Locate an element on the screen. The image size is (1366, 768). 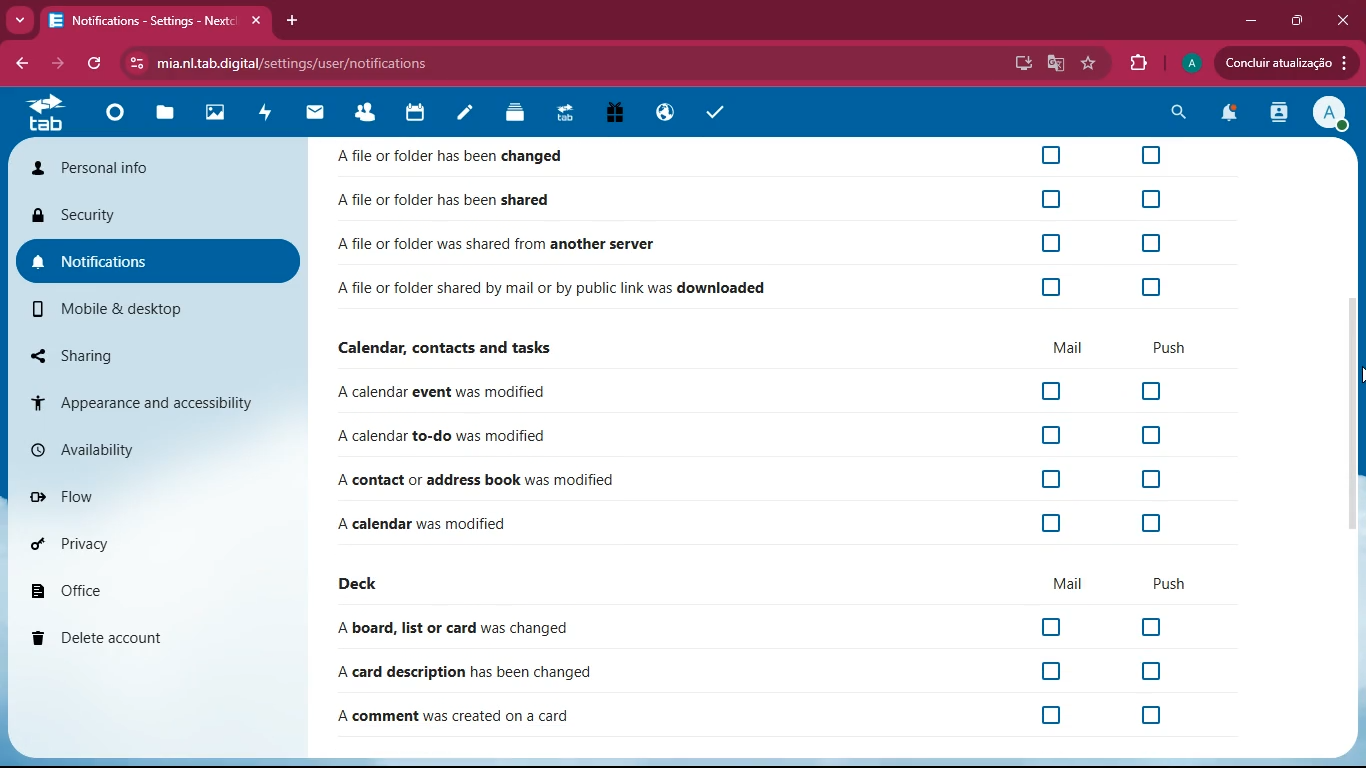
Notifications - Settings - Nextc is located at coordinates (156, 20).